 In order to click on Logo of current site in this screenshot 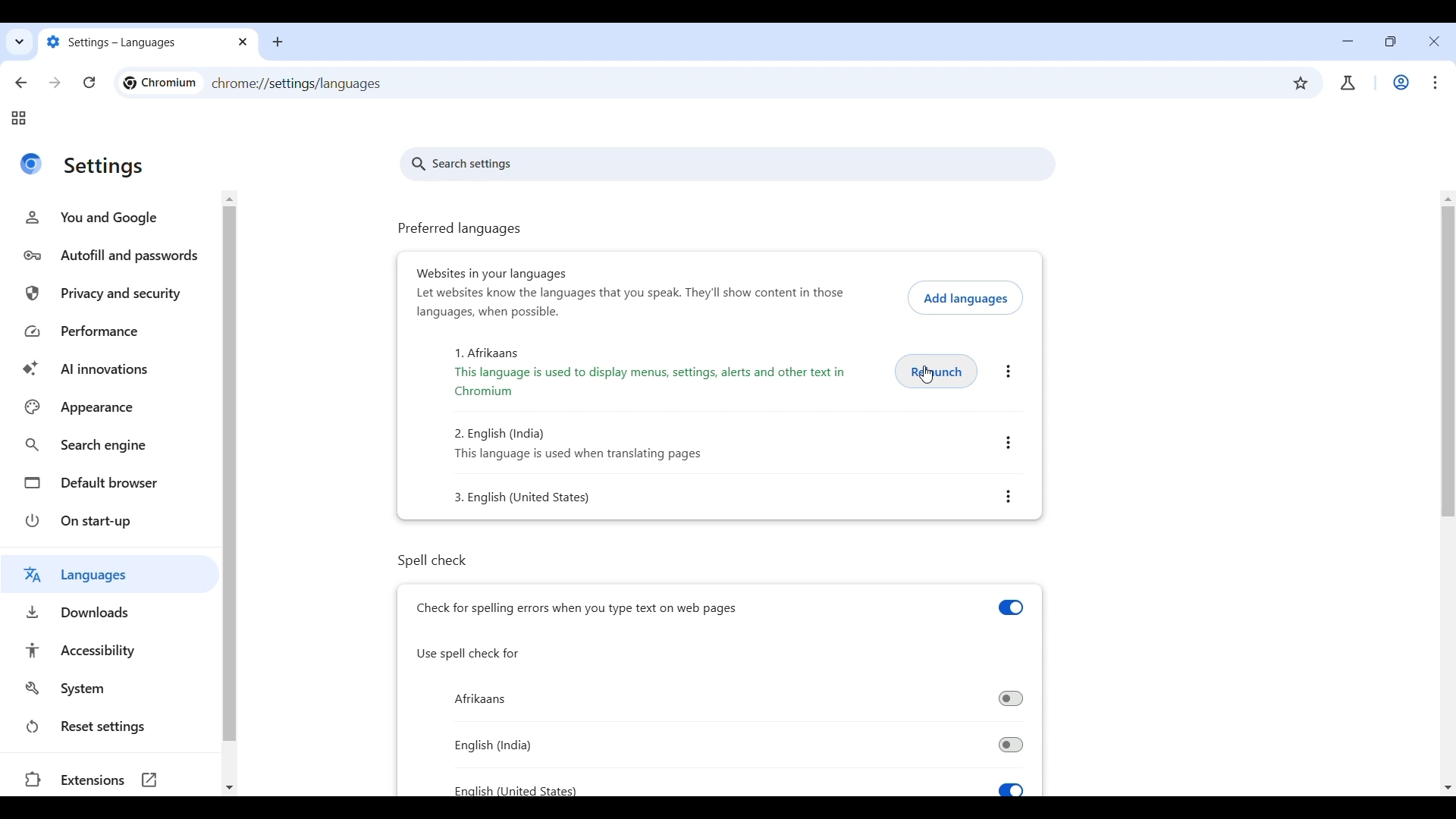, I will do `click(30, 164)`.